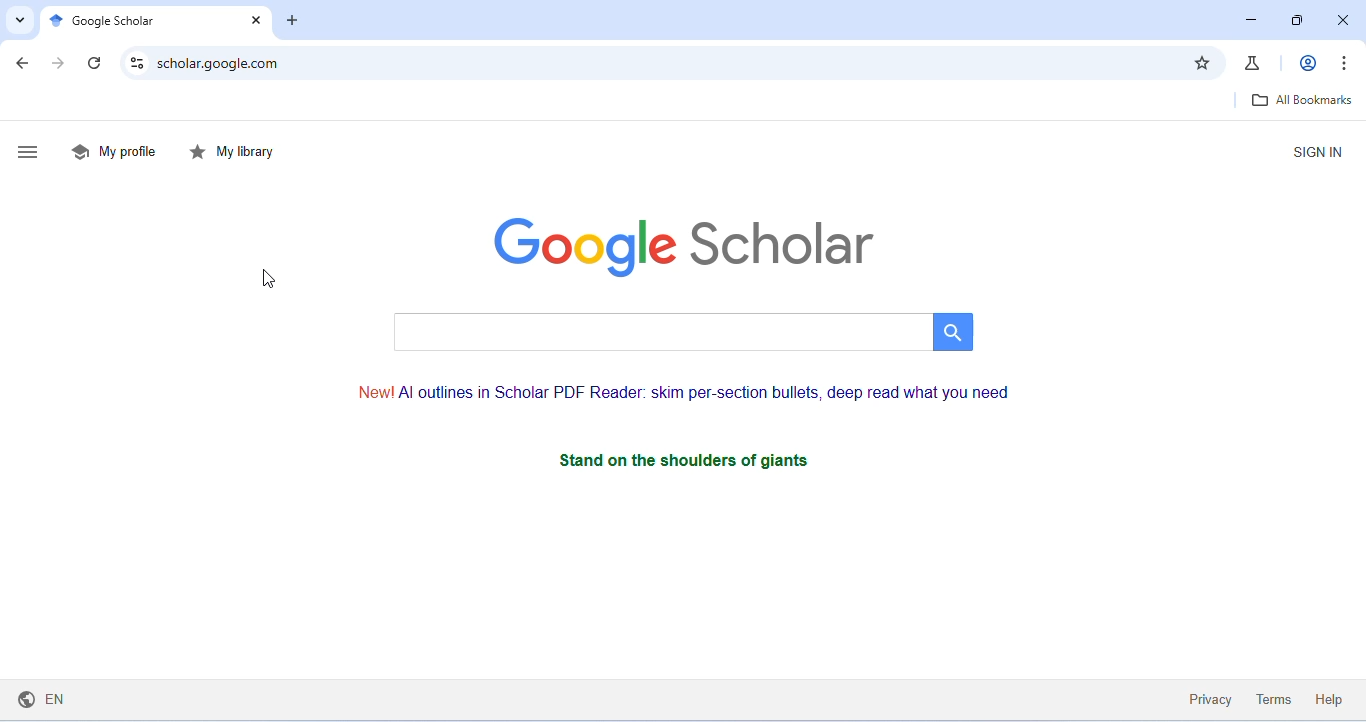 The image size is (1366, 722). What do you see at coordinates (114, 150) in the screenshot?
I see `my profile` at bounding box center [114, 150].